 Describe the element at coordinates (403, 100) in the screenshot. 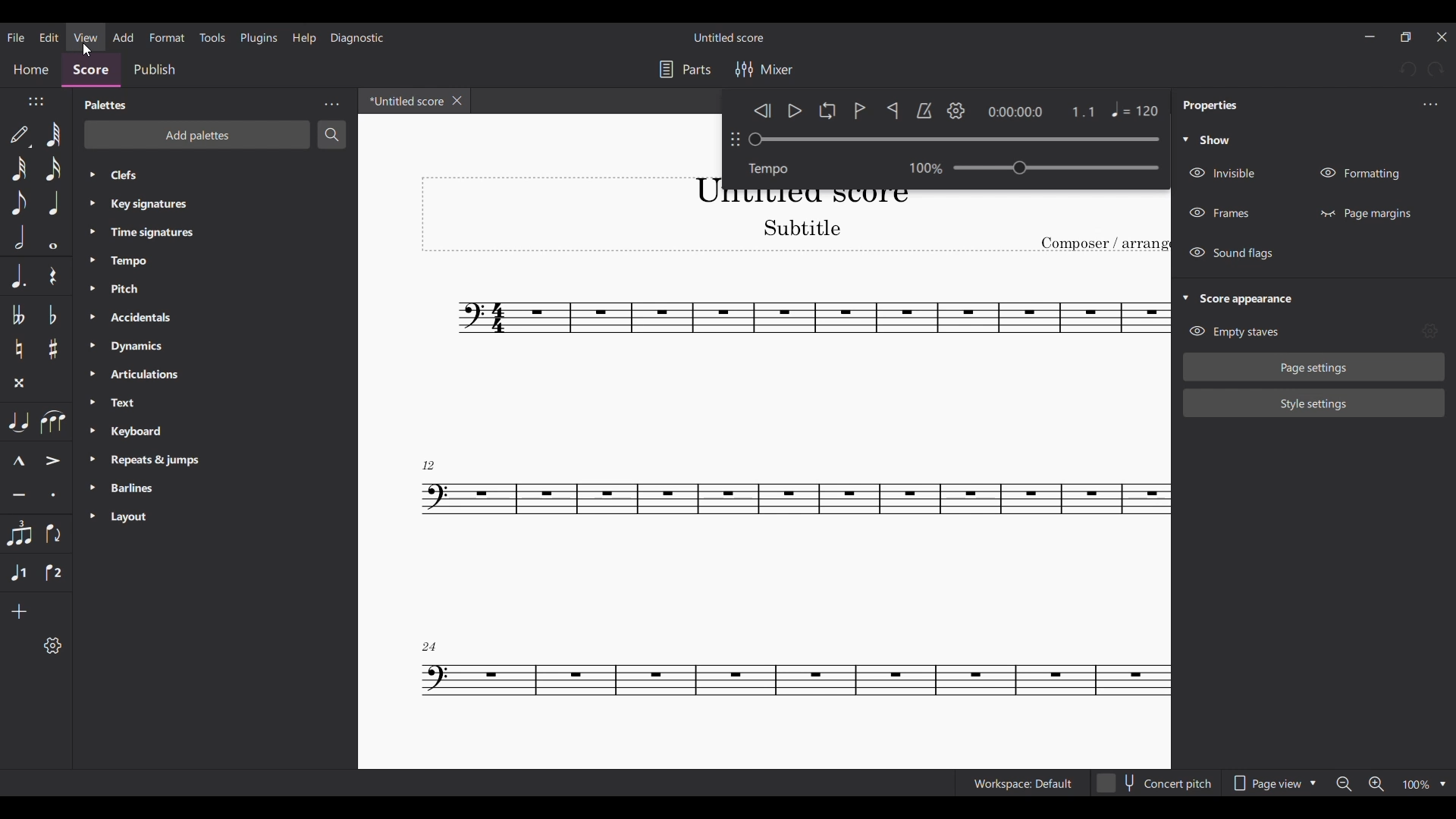

I see `*Untitled score` at that location.